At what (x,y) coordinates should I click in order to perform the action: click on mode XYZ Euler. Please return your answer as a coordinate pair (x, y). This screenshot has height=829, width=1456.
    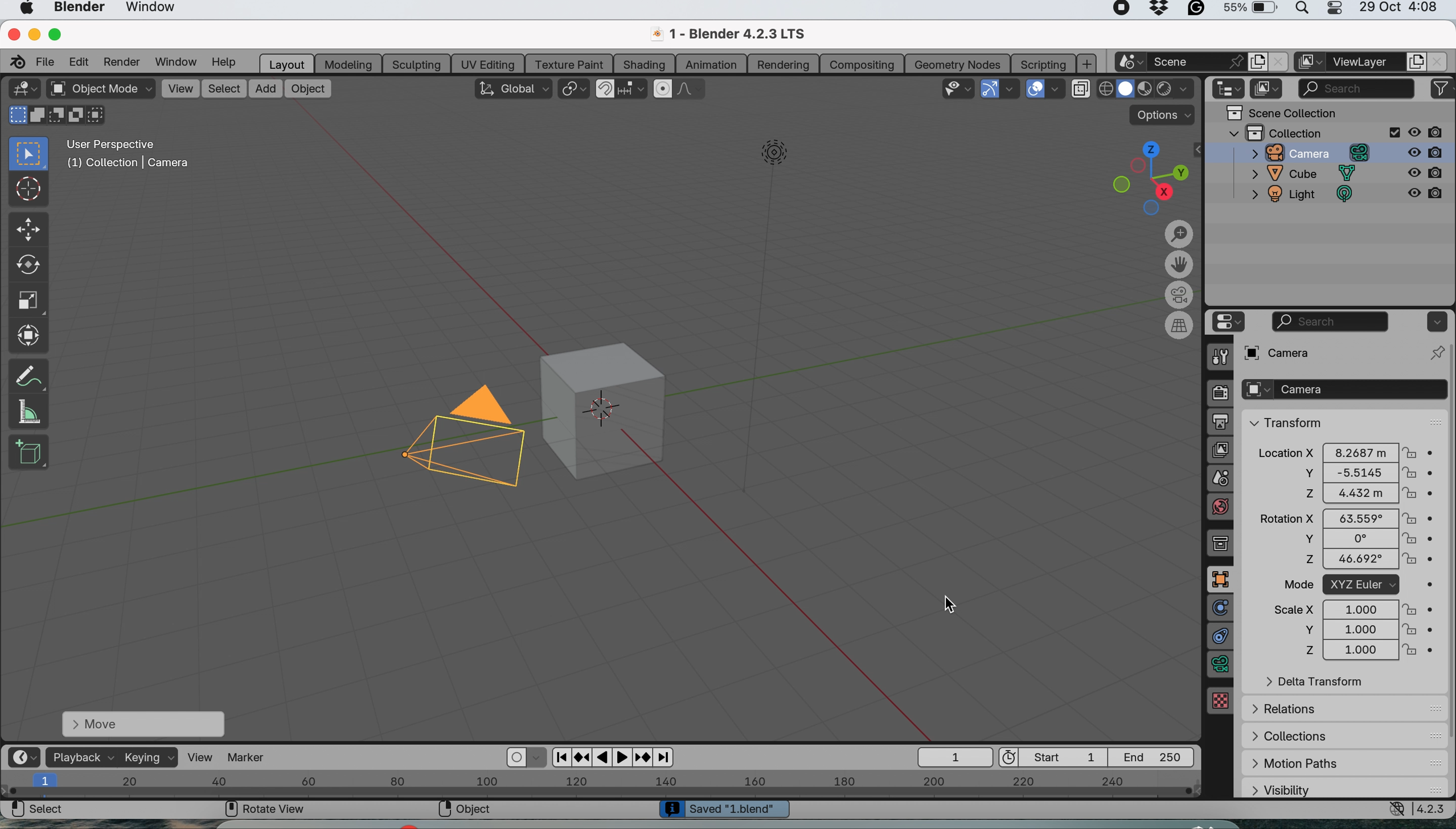
    Looking at the image, I should click on (1350, 585).